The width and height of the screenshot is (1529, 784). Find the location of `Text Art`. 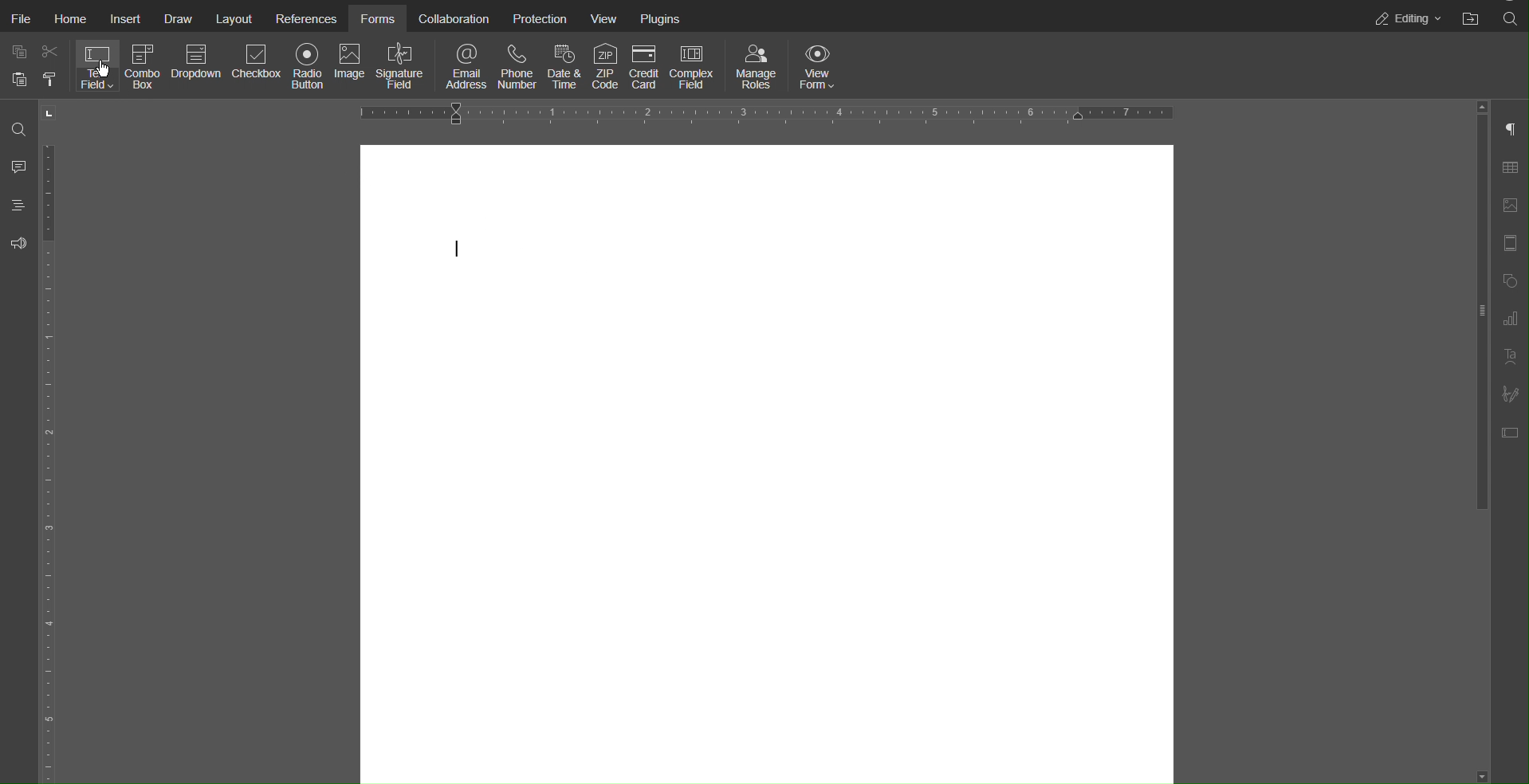

Text Art is located at coordinates (1509, 358).